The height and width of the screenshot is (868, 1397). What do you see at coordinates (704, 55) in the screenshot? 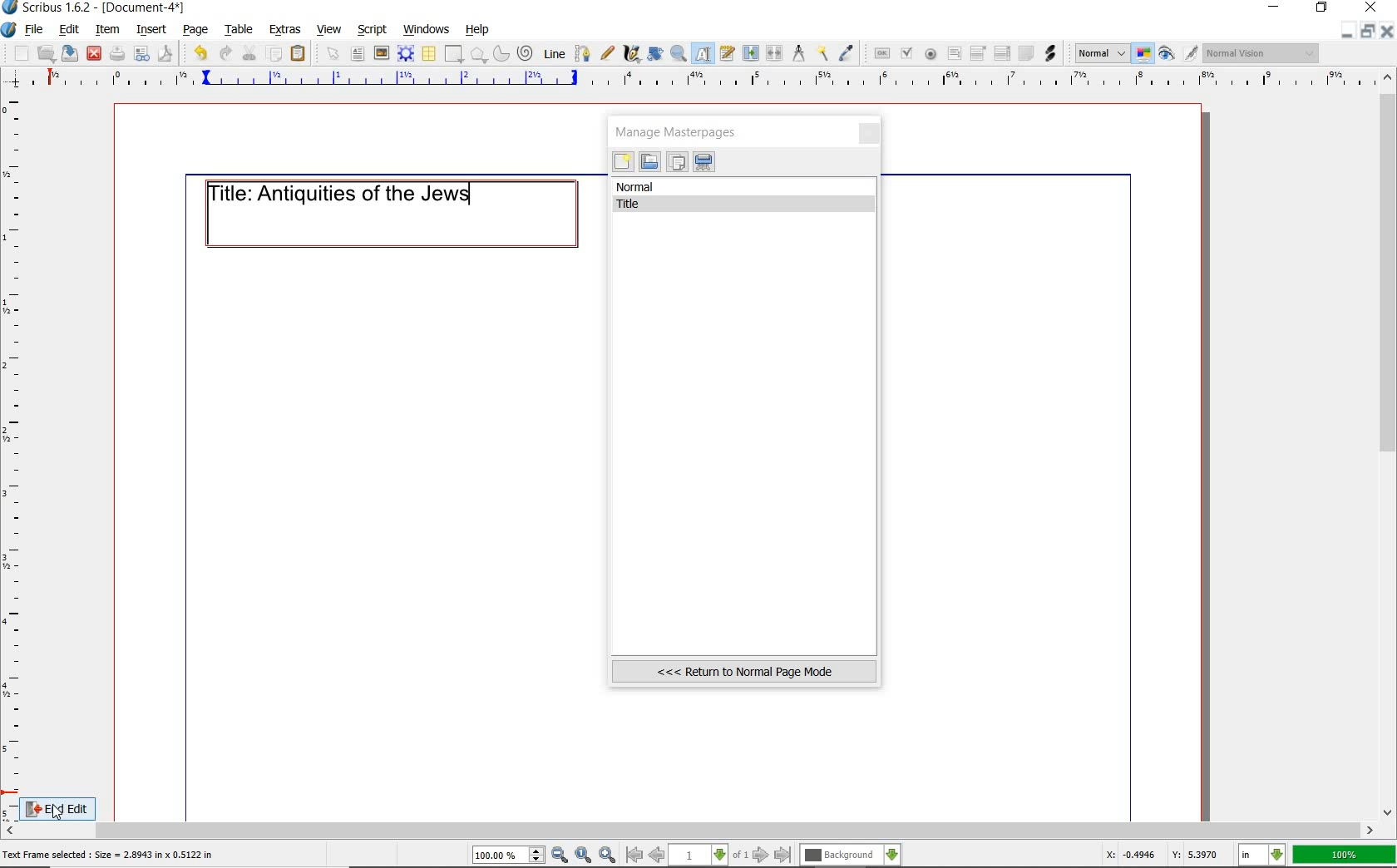
I see `edit contents of frame` at bounding box center [704, 55].